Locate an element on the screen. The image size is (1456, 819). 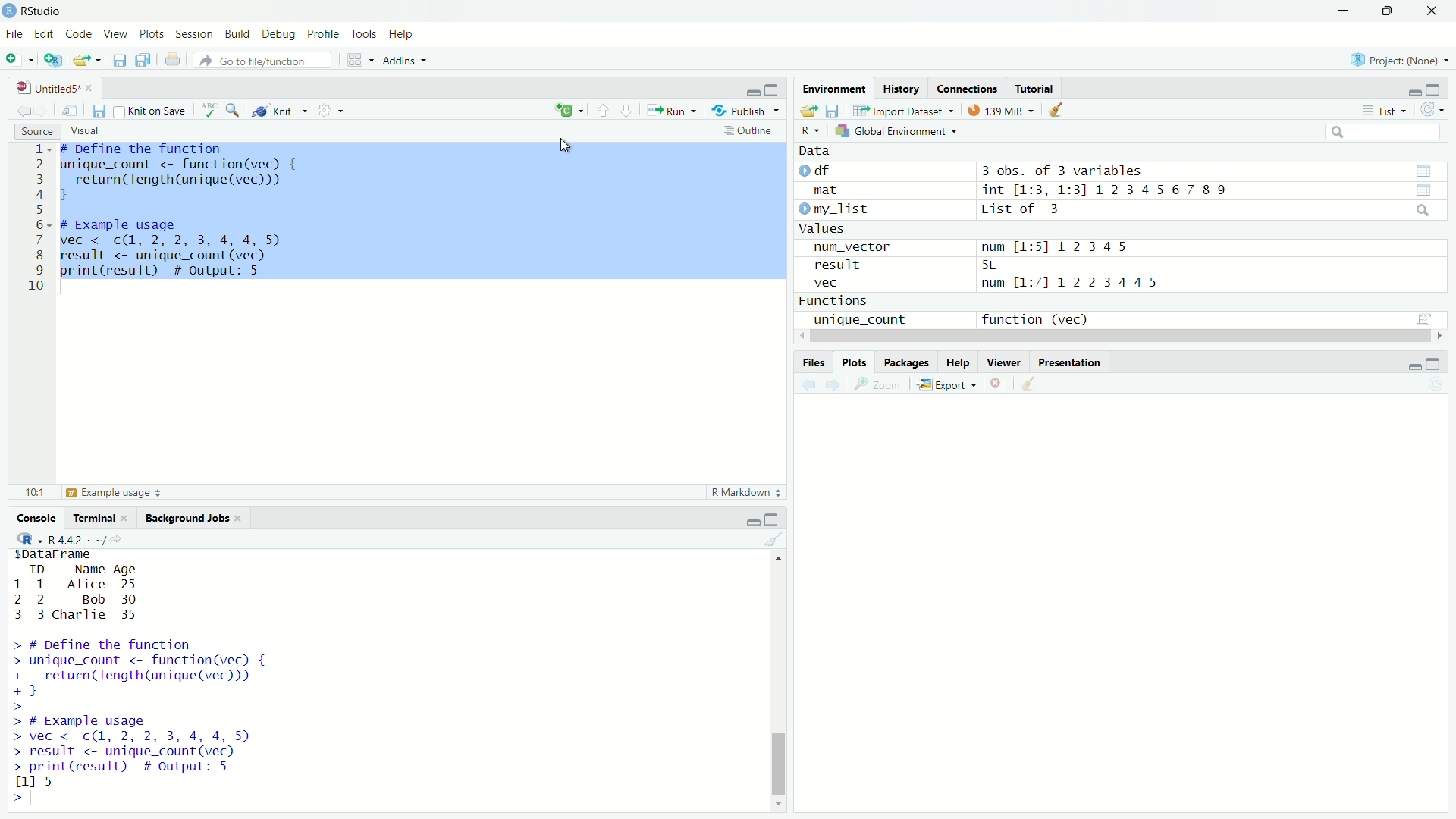
back is located at coordinates (811, 385).